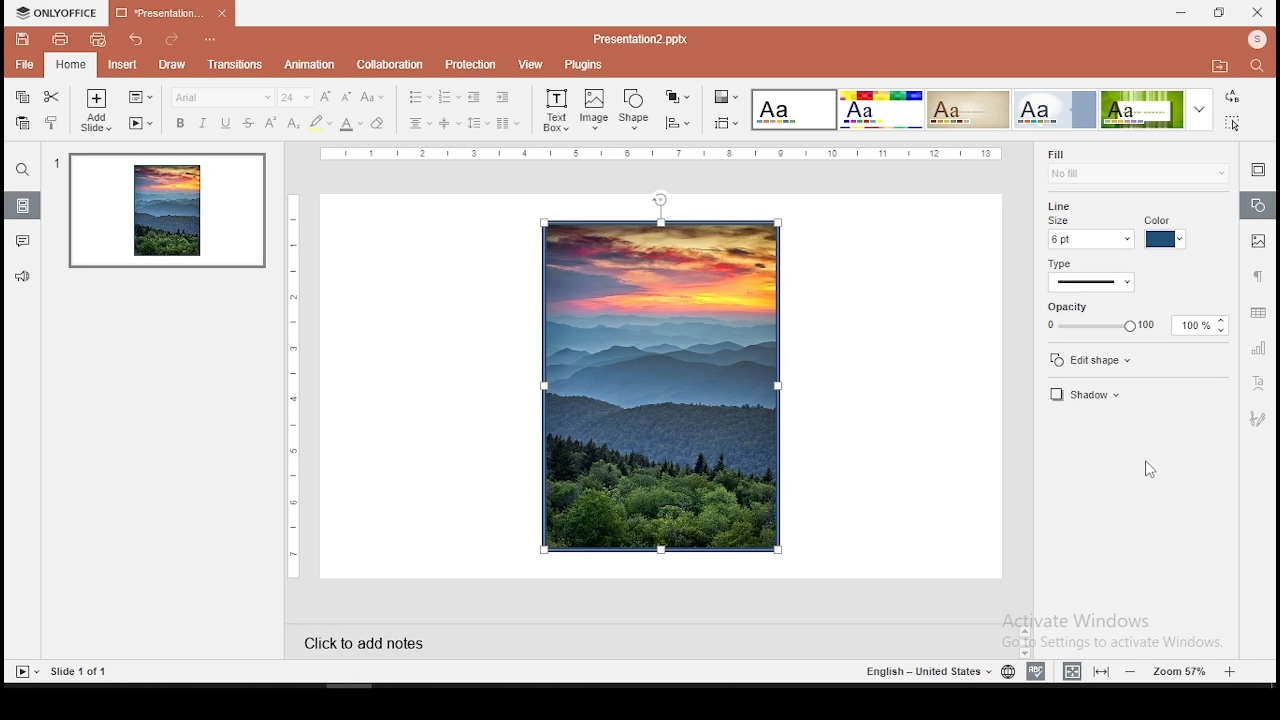 Image resolution: width=1280 pixels, height=720 pixels. What do you see at coordinates (178, 123) in the screenshot?
I see `bold` at bounding box center [178, 123].